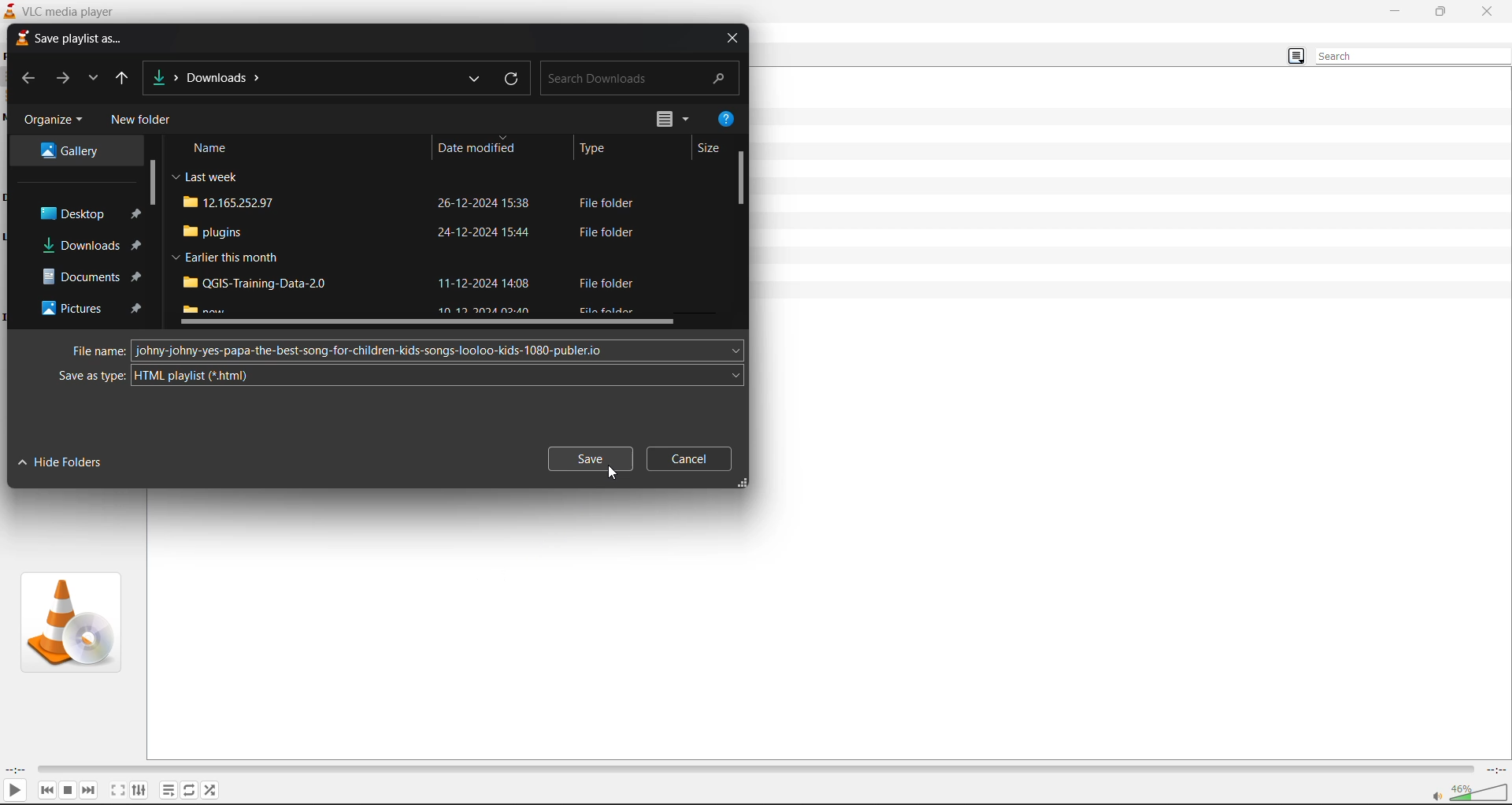 This screenshot has width=1512, height=805. What do you see at coordinates (1392, 10) in the screenshot?
I see `minimize` at bounding box center [1392, 10].